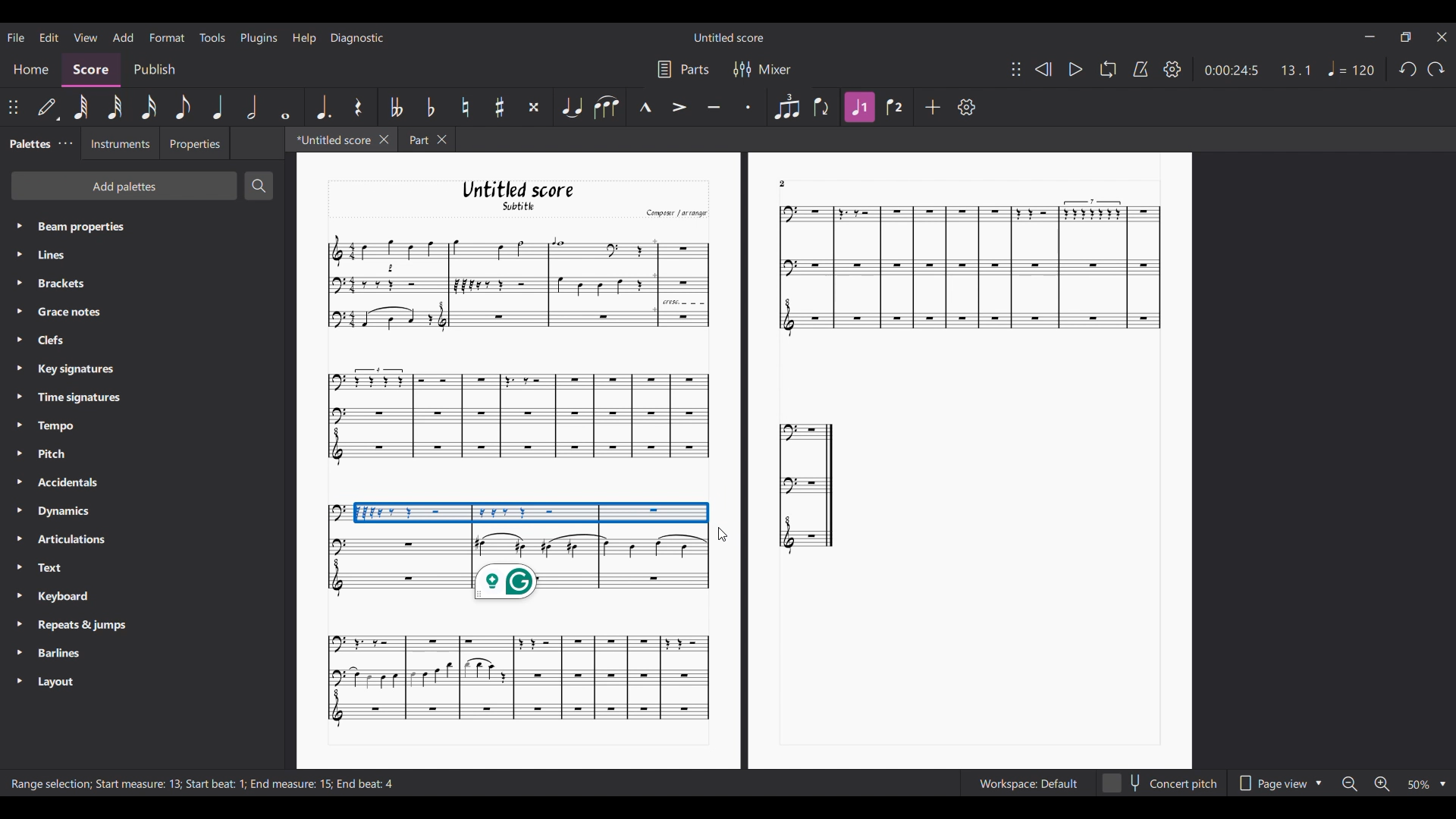 This screenshot has width=1456, height=819. I want to click on > Keysignatures, so click(67, 367).